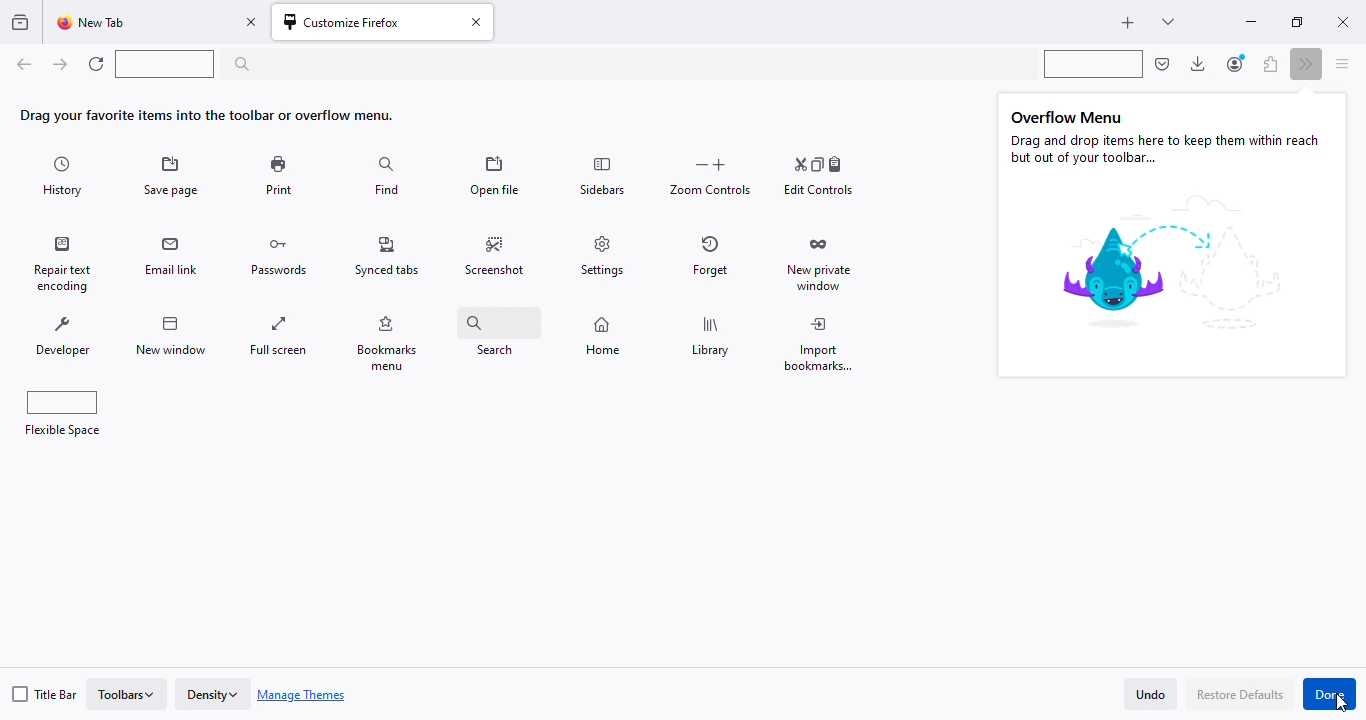 This screenshot has height=720, width=1366. I want to click on search, so click(494, 332).